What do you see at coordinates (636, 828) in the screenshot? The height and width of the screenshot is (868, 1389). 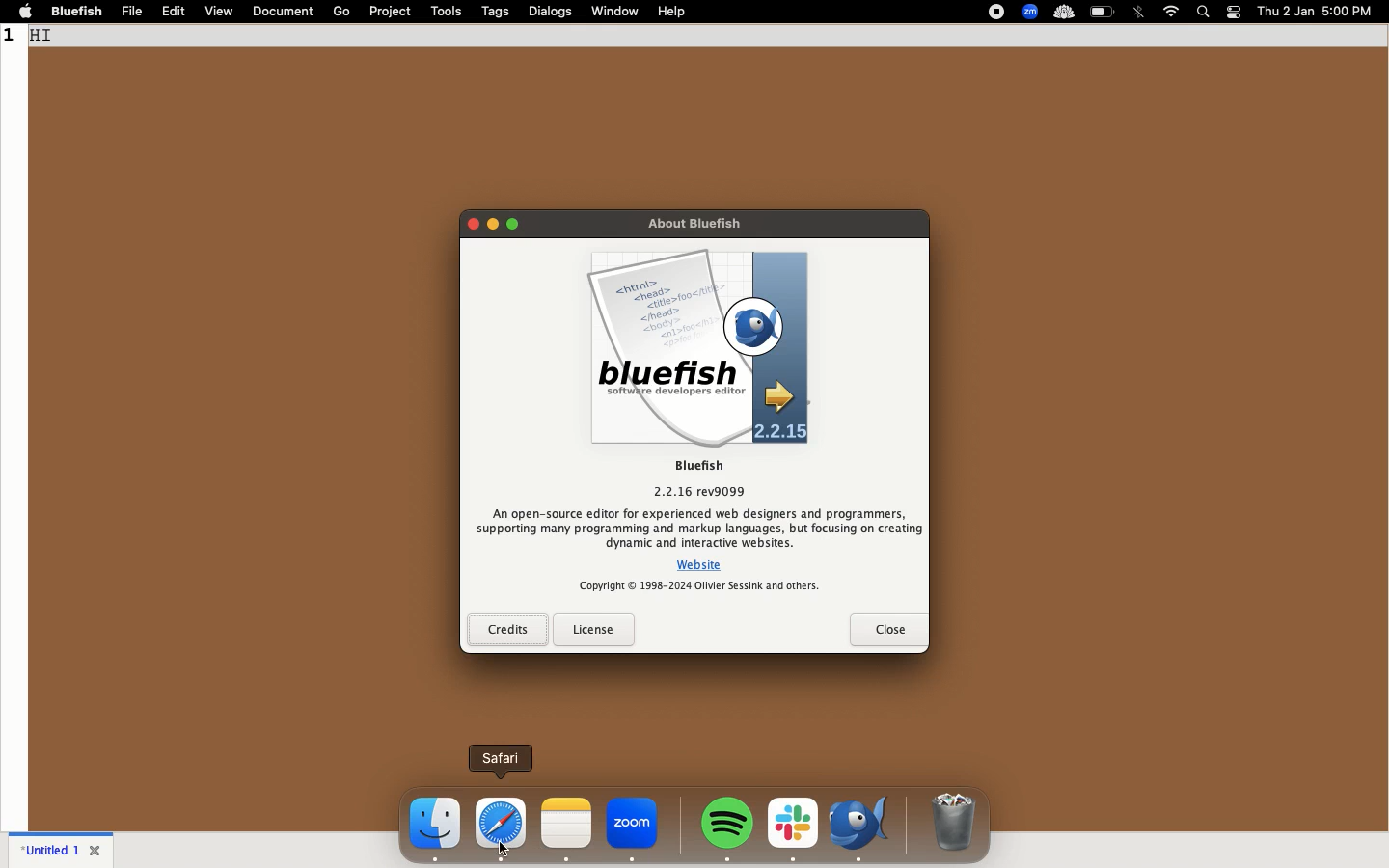 I see `zoom` at bounding box center [636, 828].